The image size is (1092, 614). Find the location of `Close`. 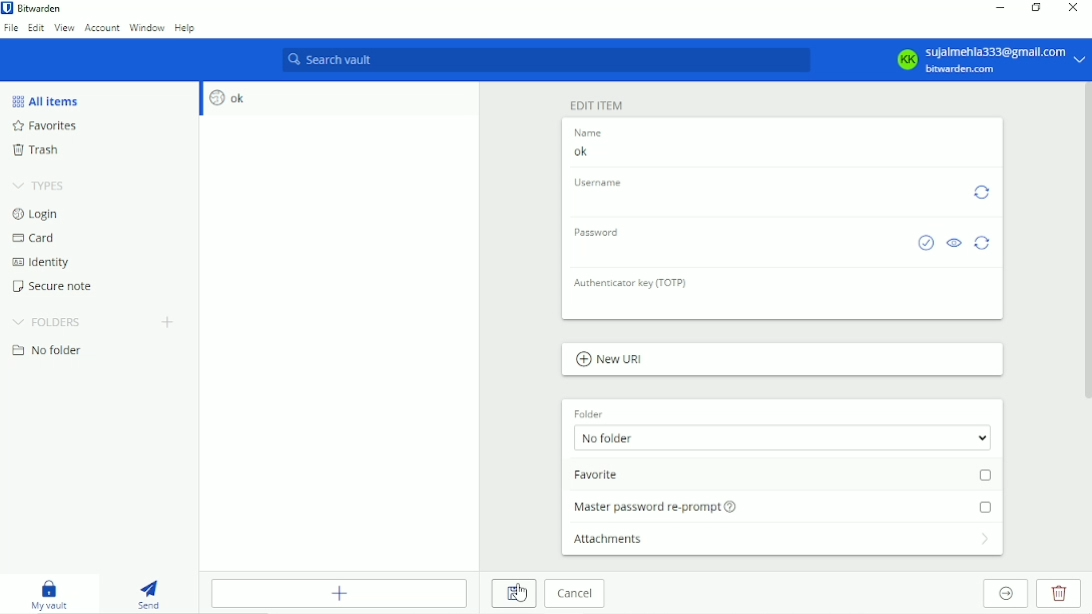

Close is located at coordinates (1076, 9).